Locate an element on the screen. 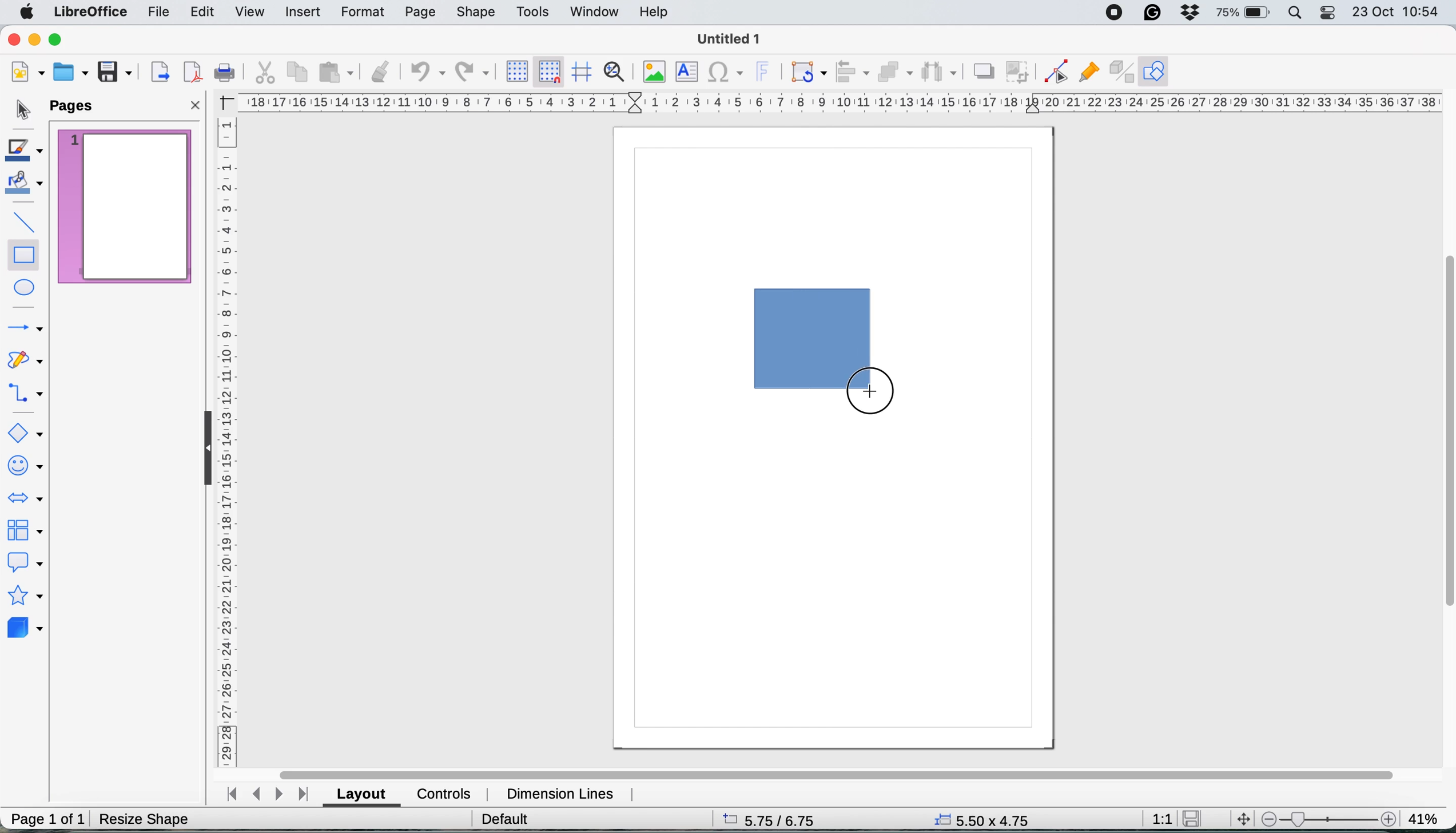 The image size is (1456, 833). layout is located at coordinates (363, 794).